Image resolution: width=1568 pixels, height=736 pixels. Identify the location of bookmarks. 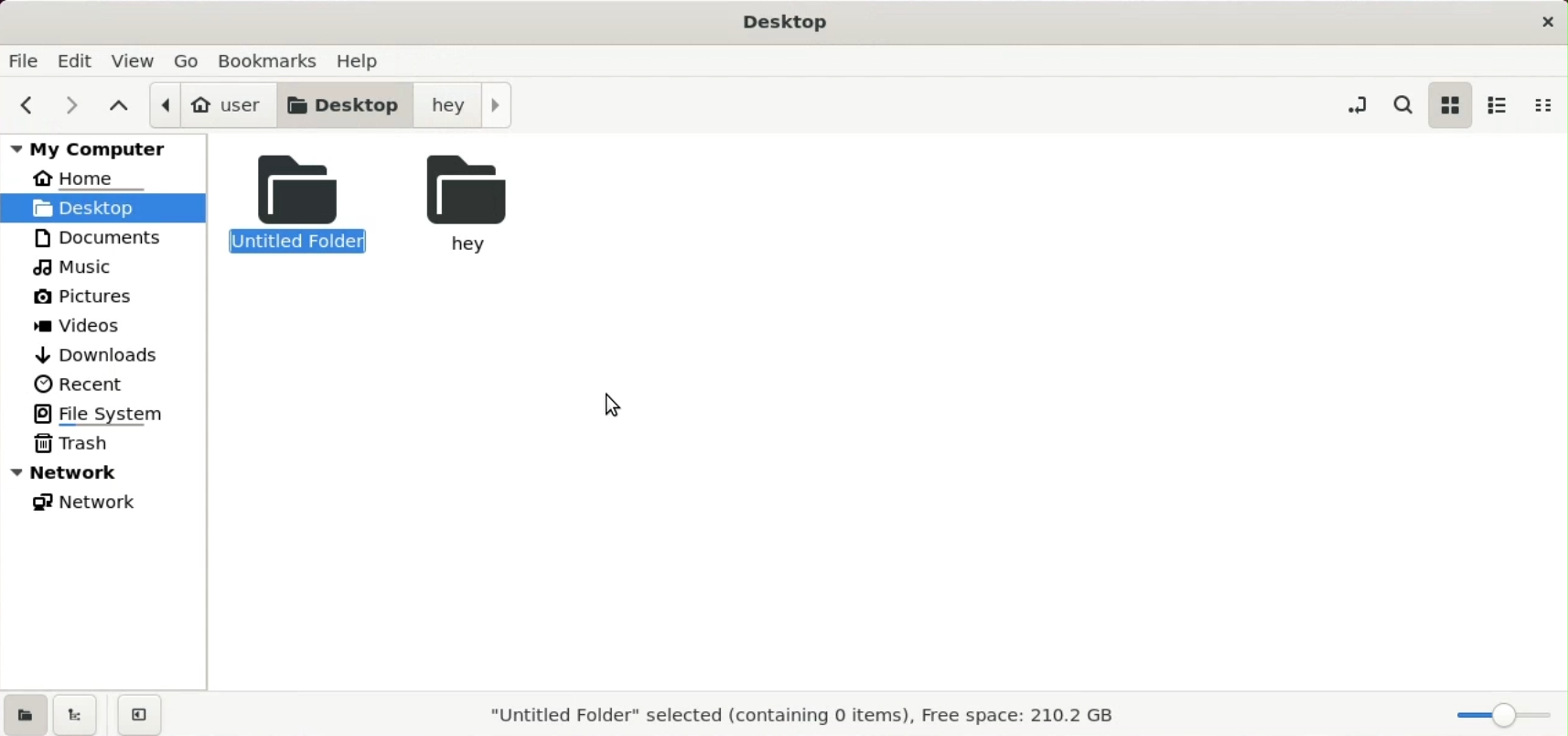
(273, 60).